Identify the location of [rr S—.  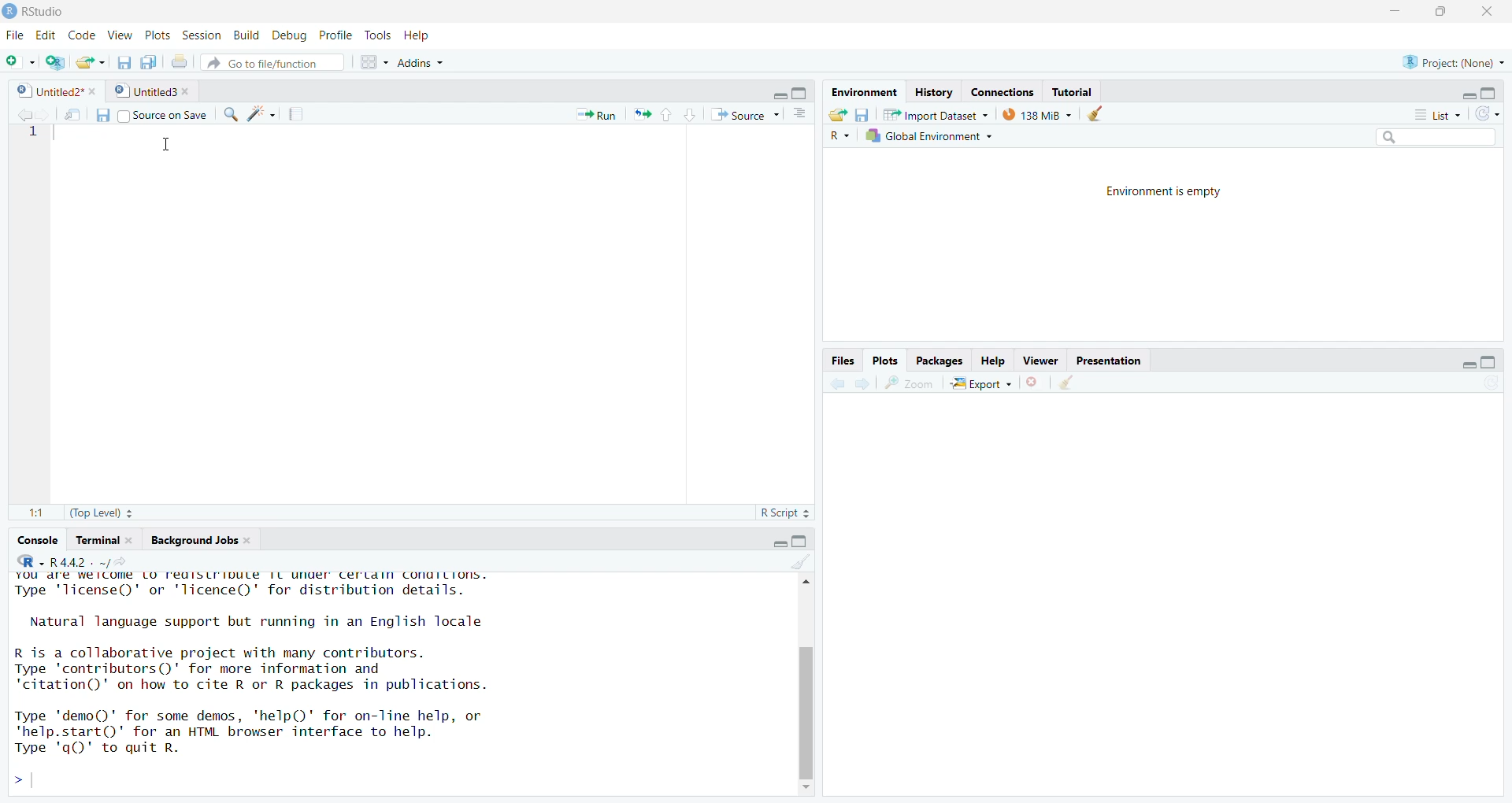
(862, 88).